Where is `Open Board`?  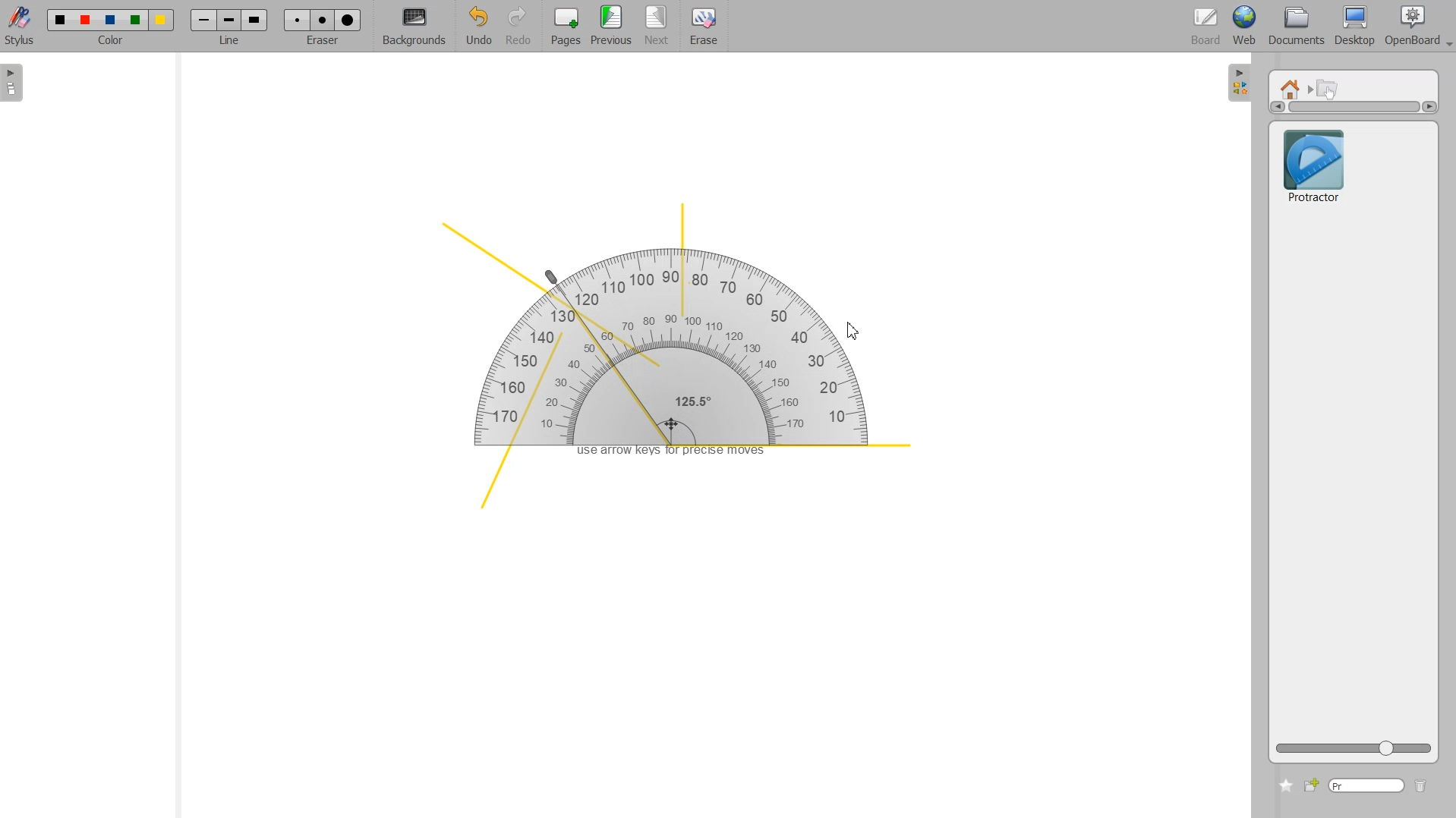
Open Board is located at coordinates (1418, 27).